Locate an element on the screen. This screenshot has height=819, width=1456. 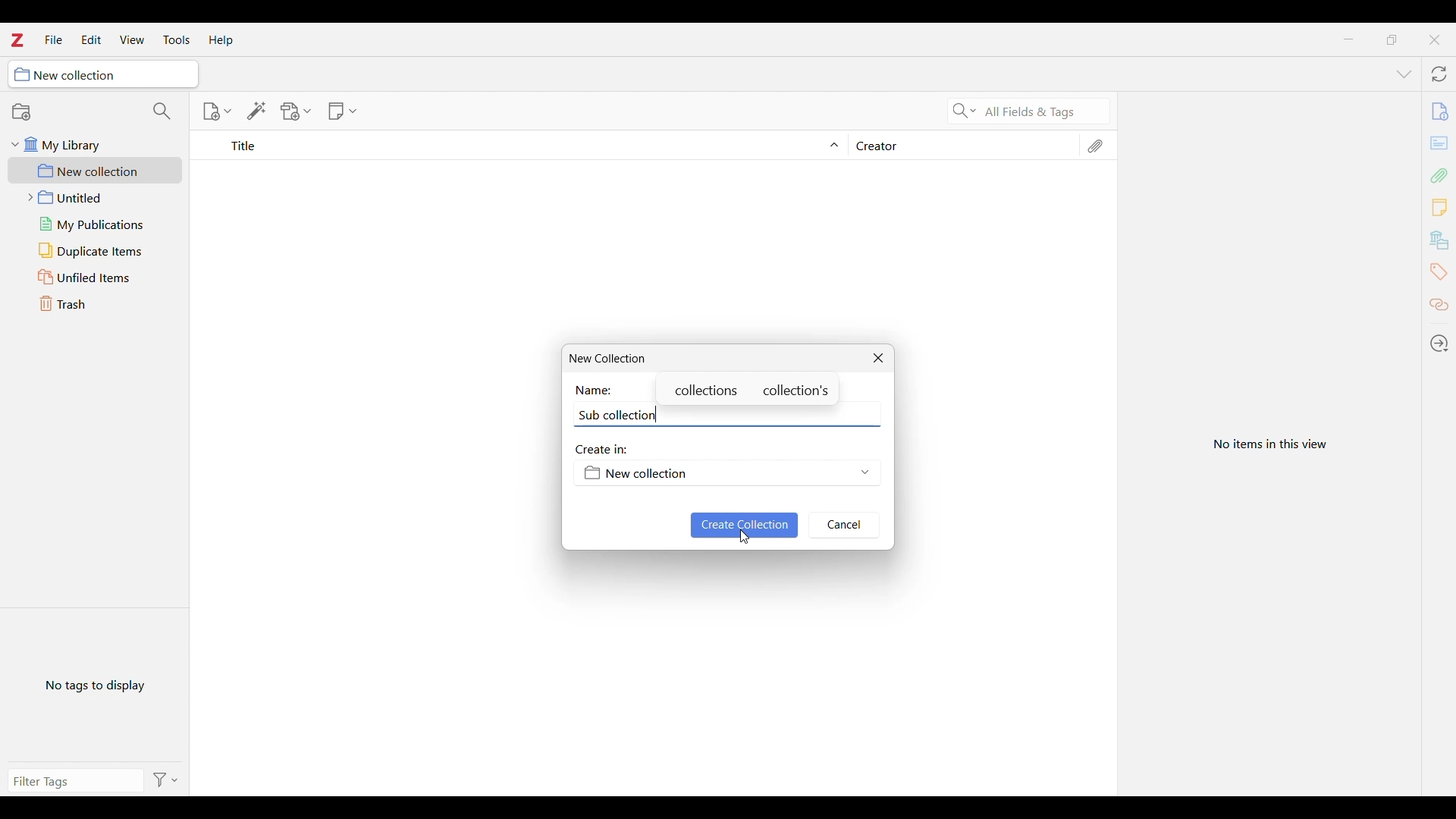
Locate is located at coordinates (1439, 344).